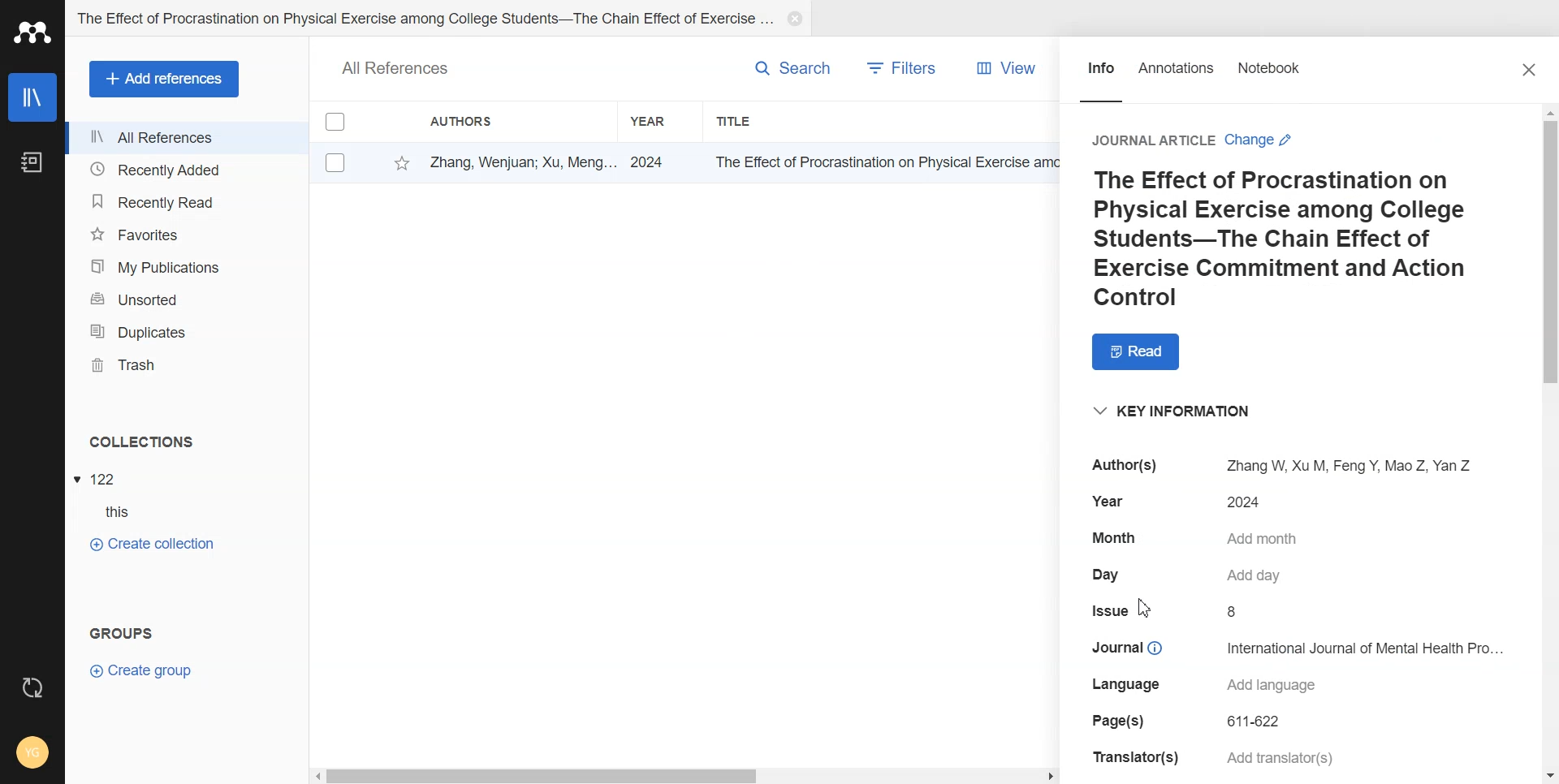 The width and height of the screenshot is (1559, 784). What do you see at coordinates (1205, 684) in the screenshot?
I see `Language Add language` at bounding box center [1205, 684].